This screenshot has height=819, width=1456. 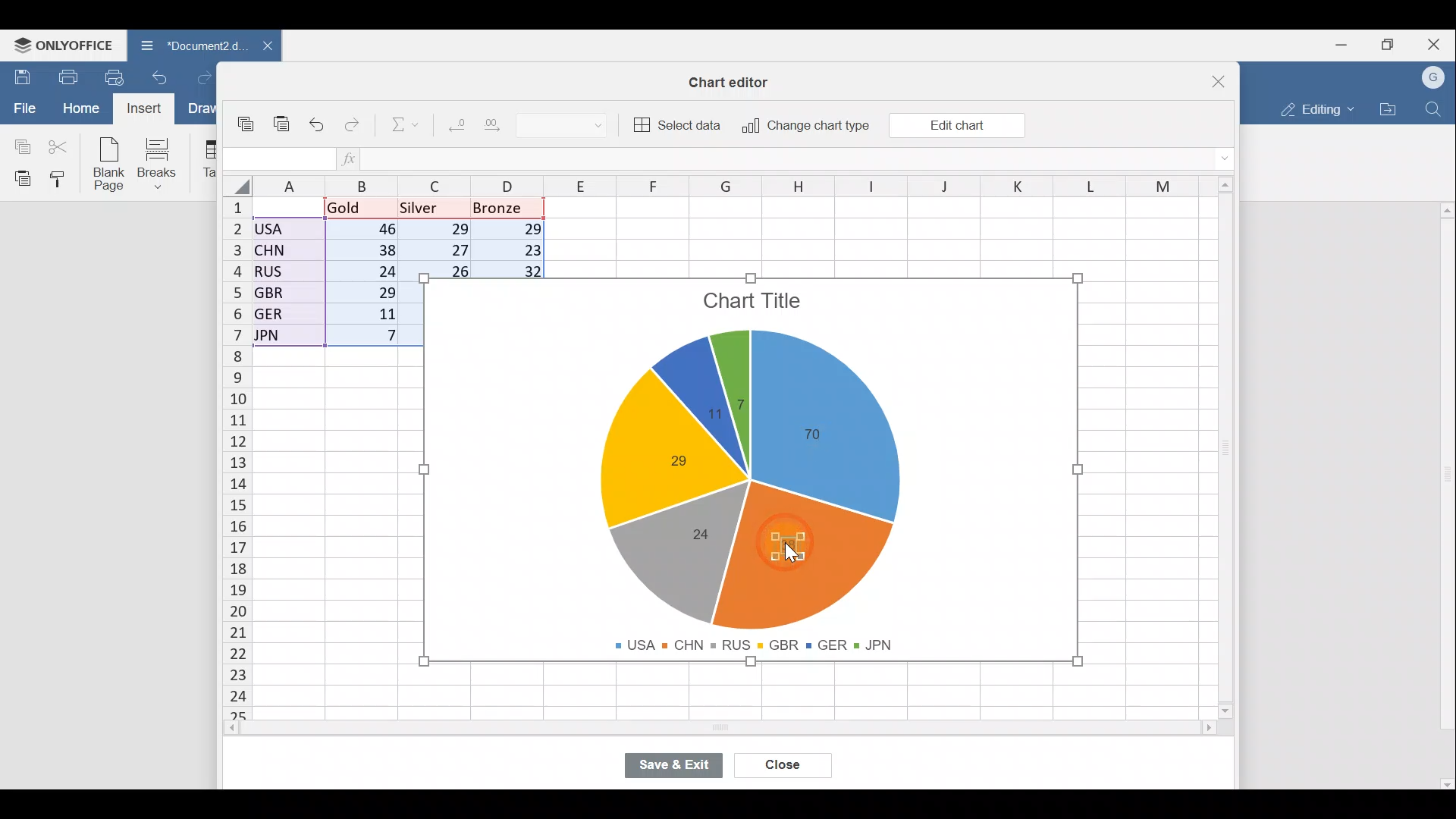 I want to click on Chart label, so click(x=740, y=395).